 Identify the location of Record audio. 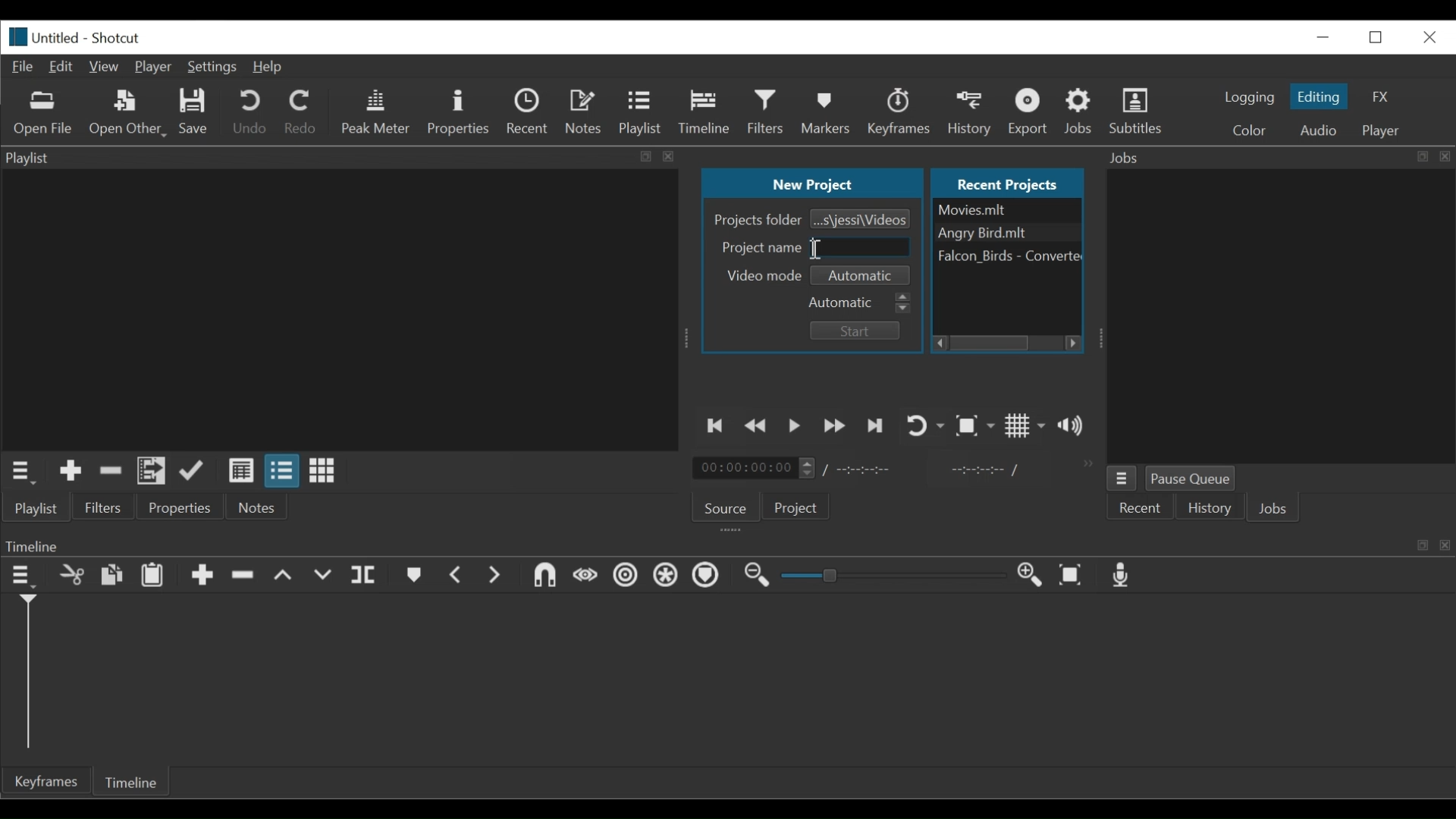
(1122, 573).